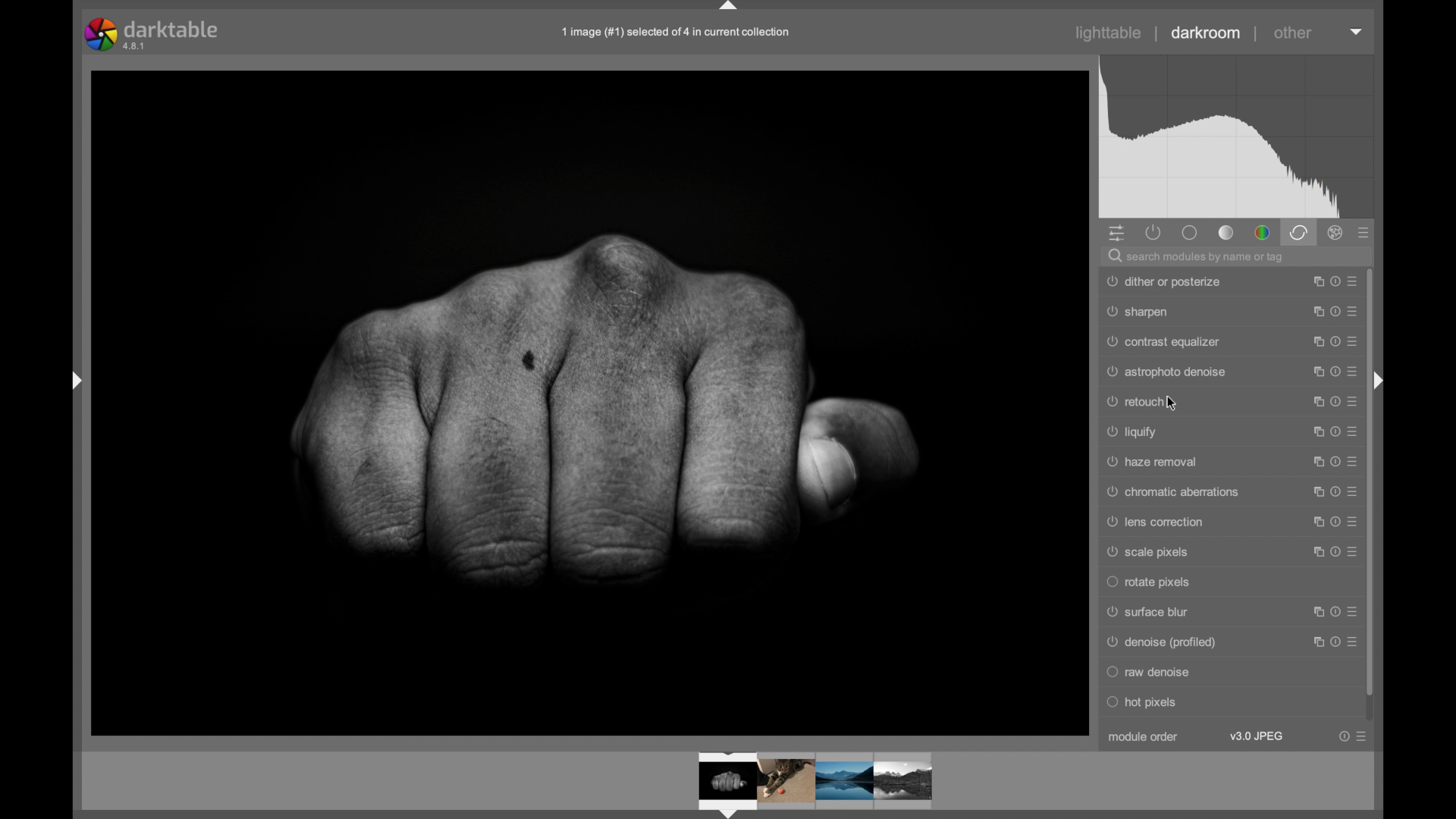 Image resolution: width=1456 pixels, height=819 pixels. What do you see at coordinates (1137, 401) in the screenshot?
I see `retouch` at bounding box center [1137, 401].